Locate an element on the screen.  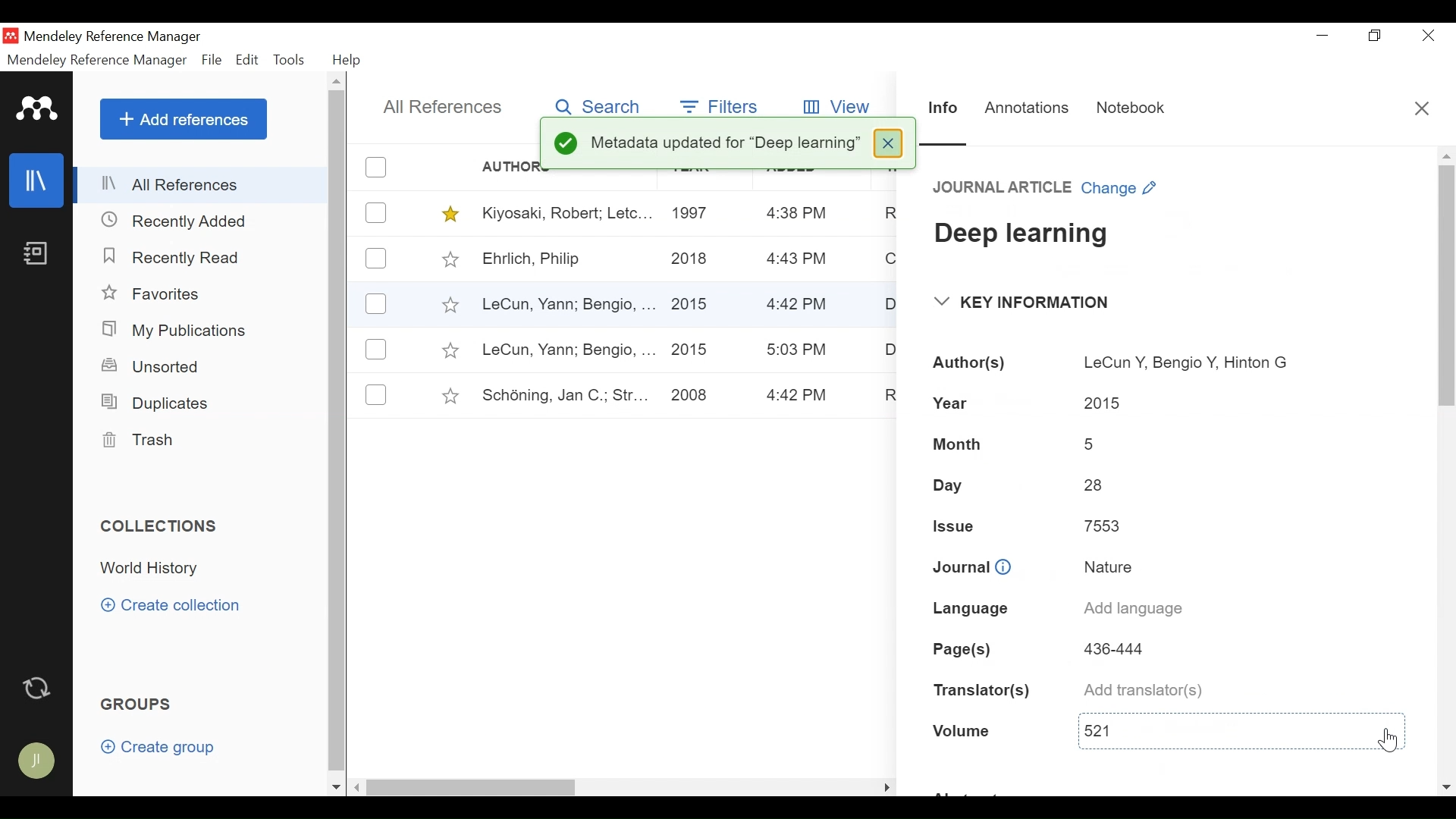
Scroll up is located at coordinates (338, 83).